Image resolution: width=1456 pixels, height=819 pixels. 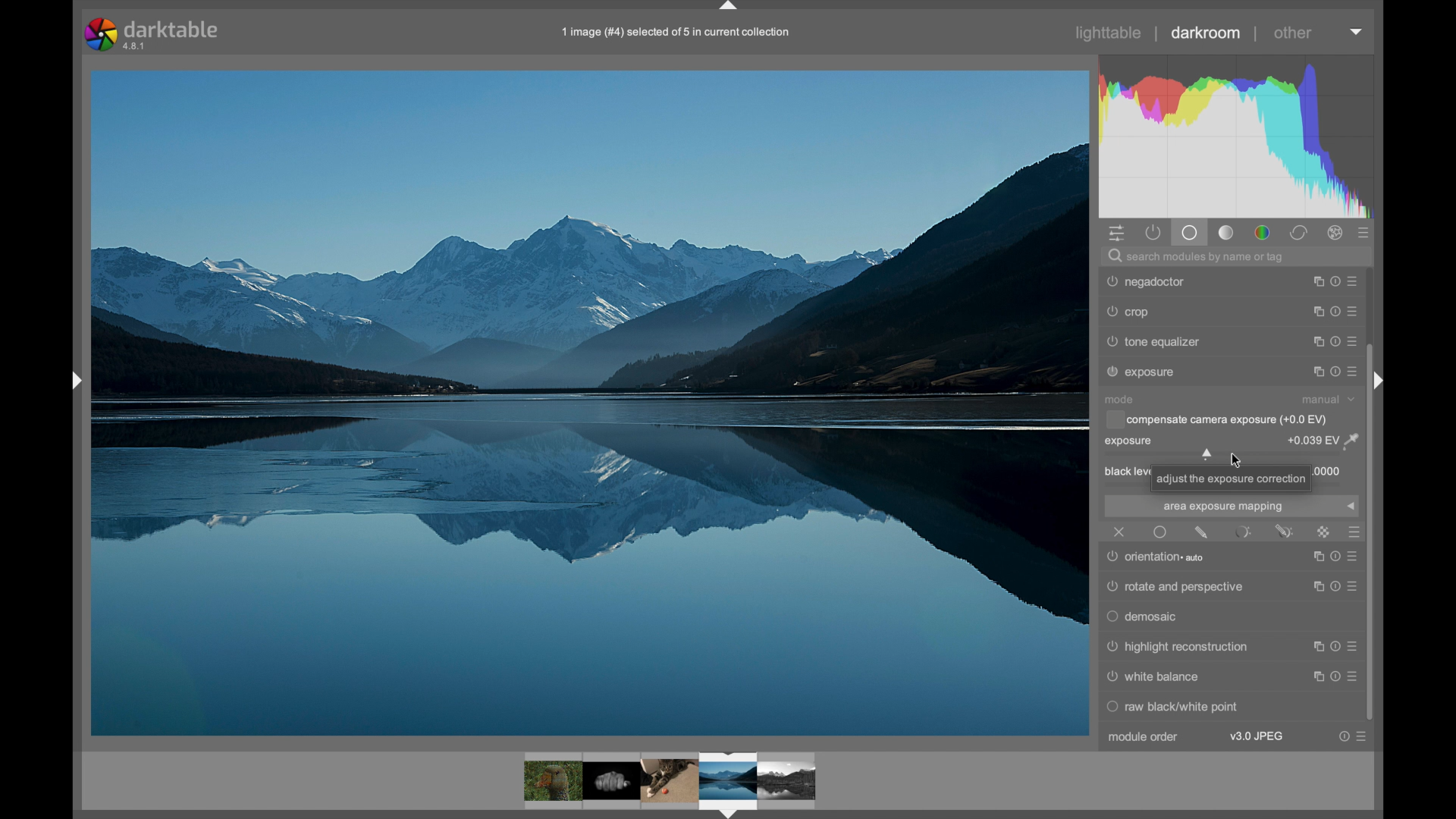 What do you see at coordinates (1216, 419) in the screenshot?
I see `checkbox` at bounding box center [1216, 419].